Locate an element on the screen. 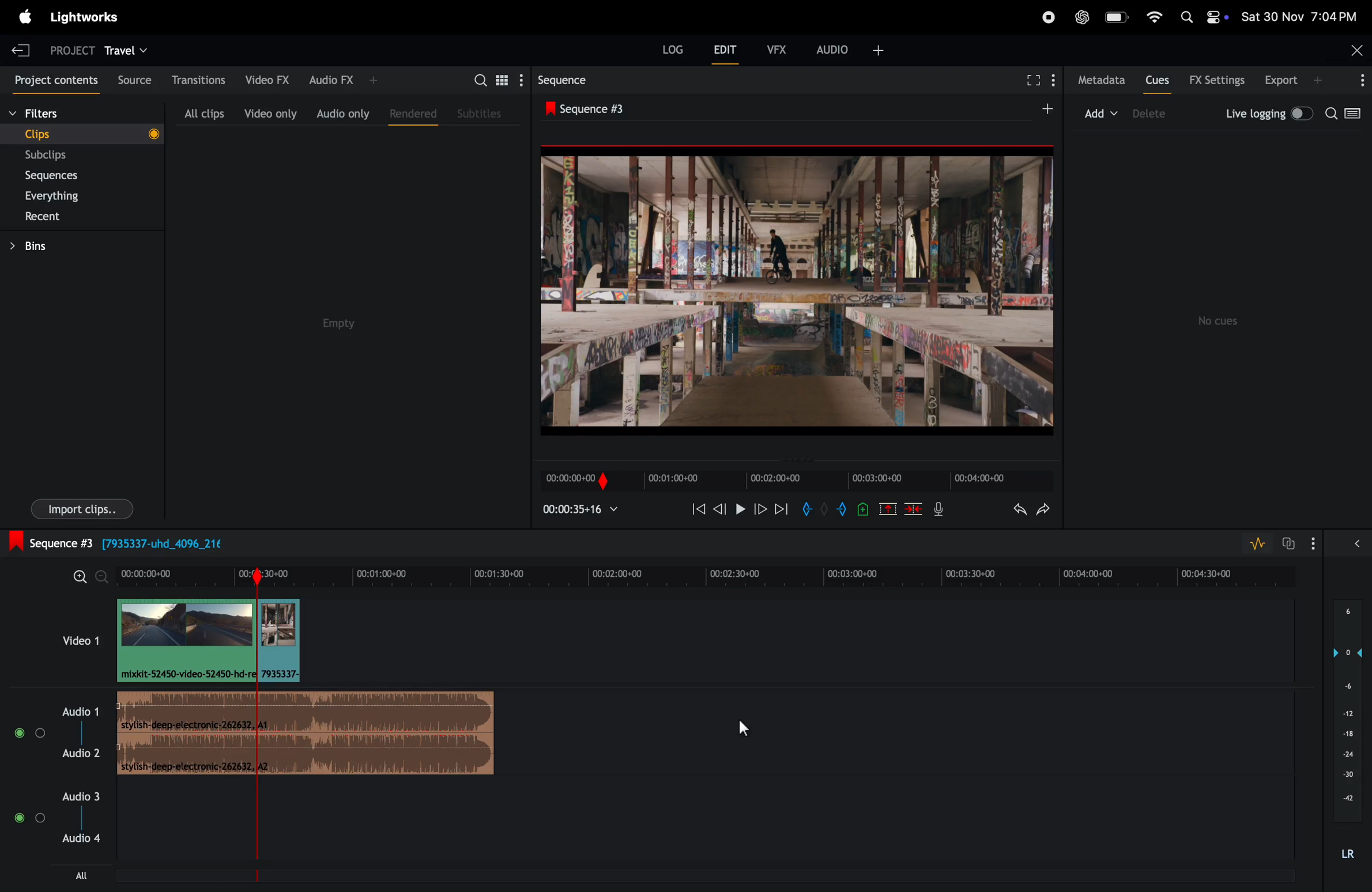 The width and height of the screenshot is (1372, 892). toggle audio track sync is located at coordinates (1286, 543).